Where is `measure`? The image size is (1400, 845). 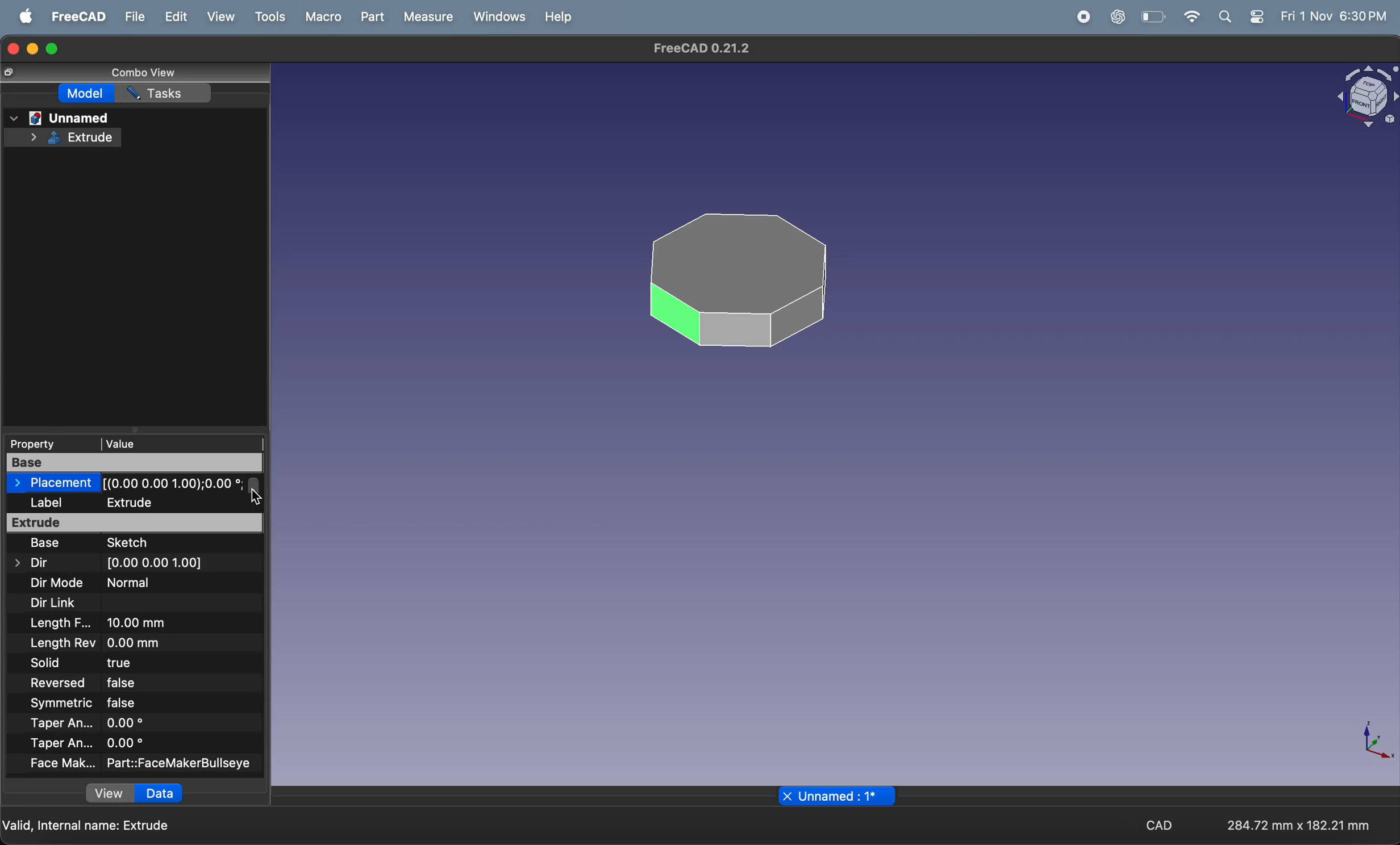
measure is located at coordinates (429, 16).